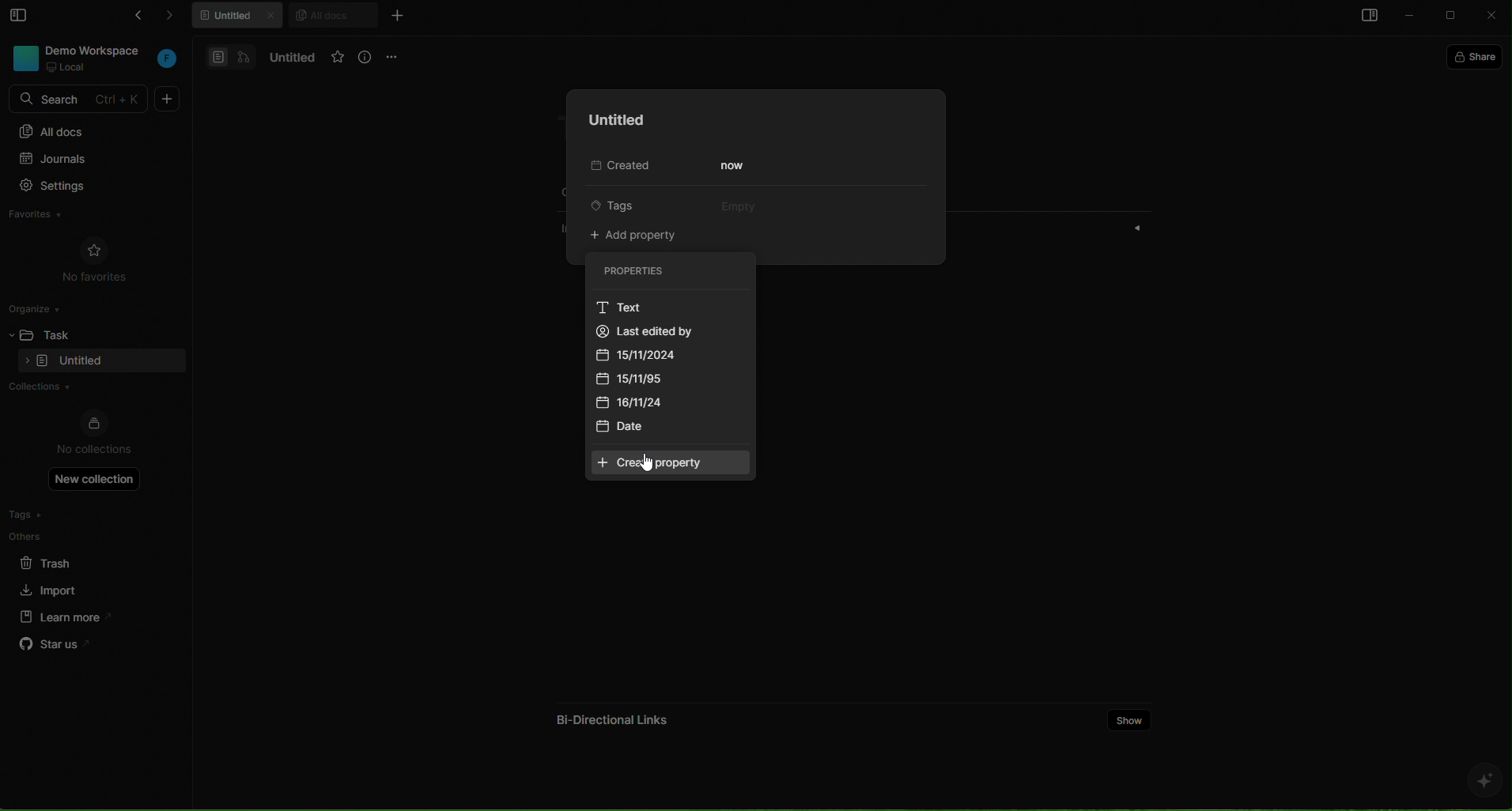  I want to click on new collection, so click(95, 478).